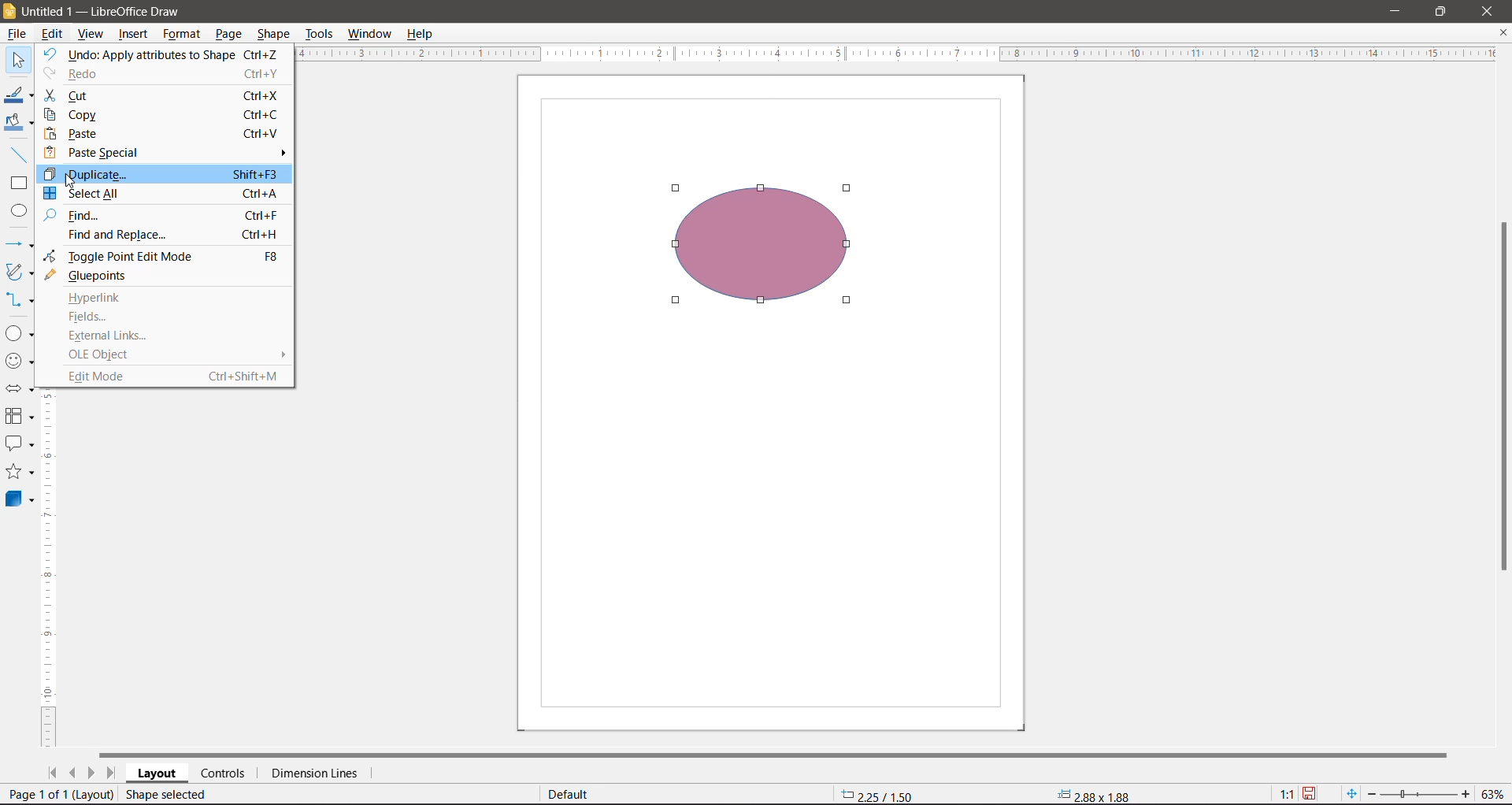  What do you see at coordinates (20, 273) in the screenshot?
I see `Curves and Polygons` at bounding box center [20, 273].